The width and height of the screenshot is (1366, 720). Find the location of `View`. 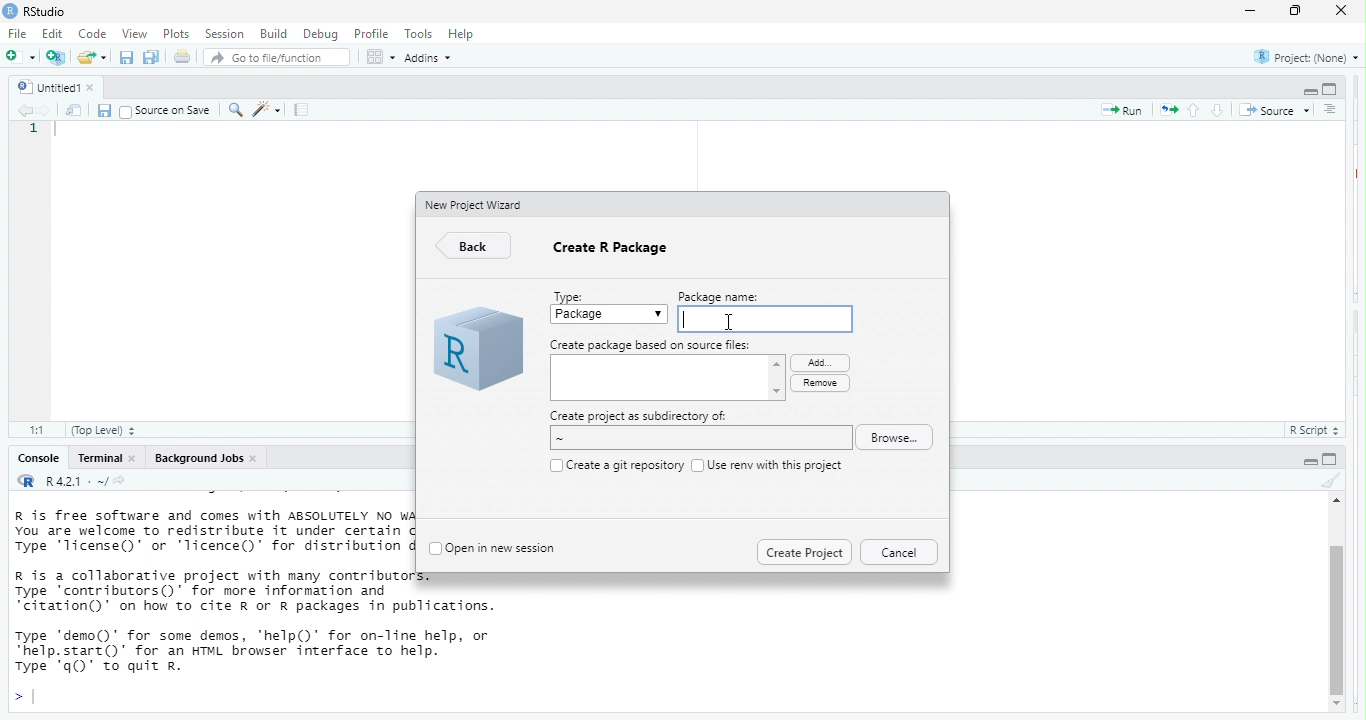

View is located at coordinates (133, 34).